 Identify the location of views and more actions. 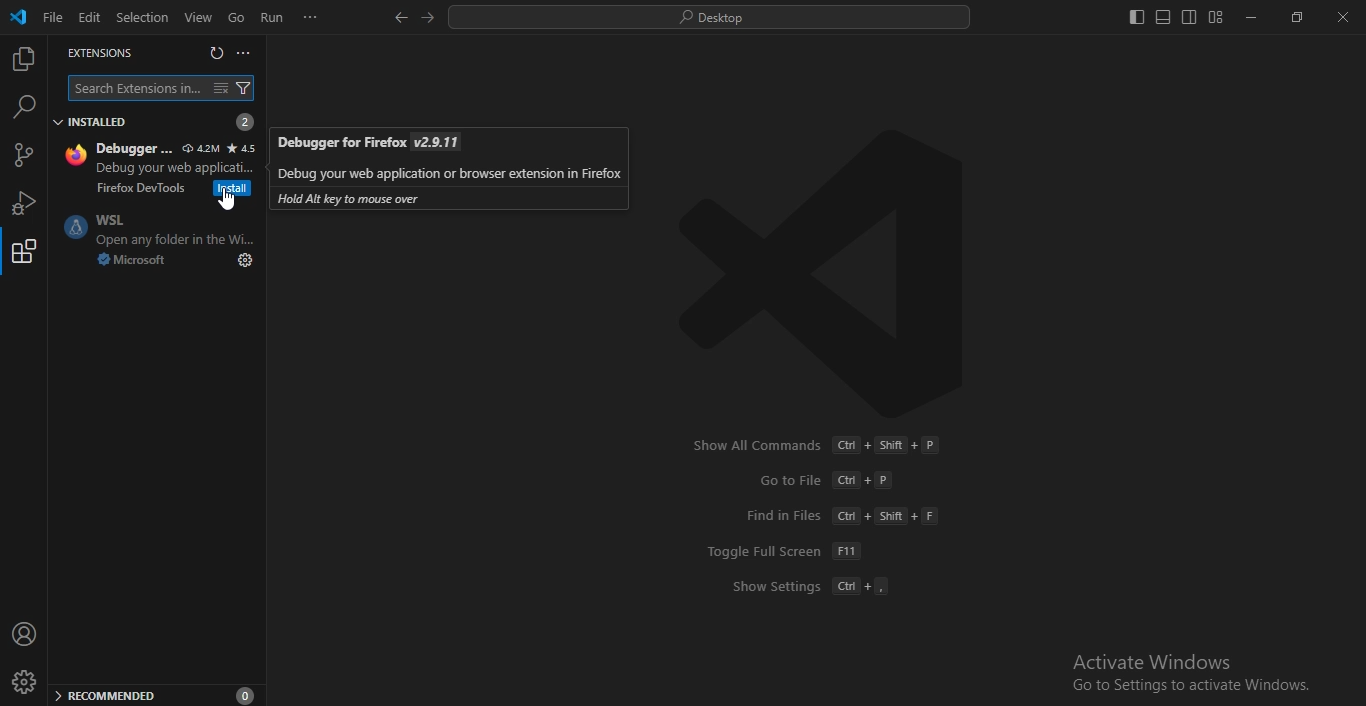
(245, 53).